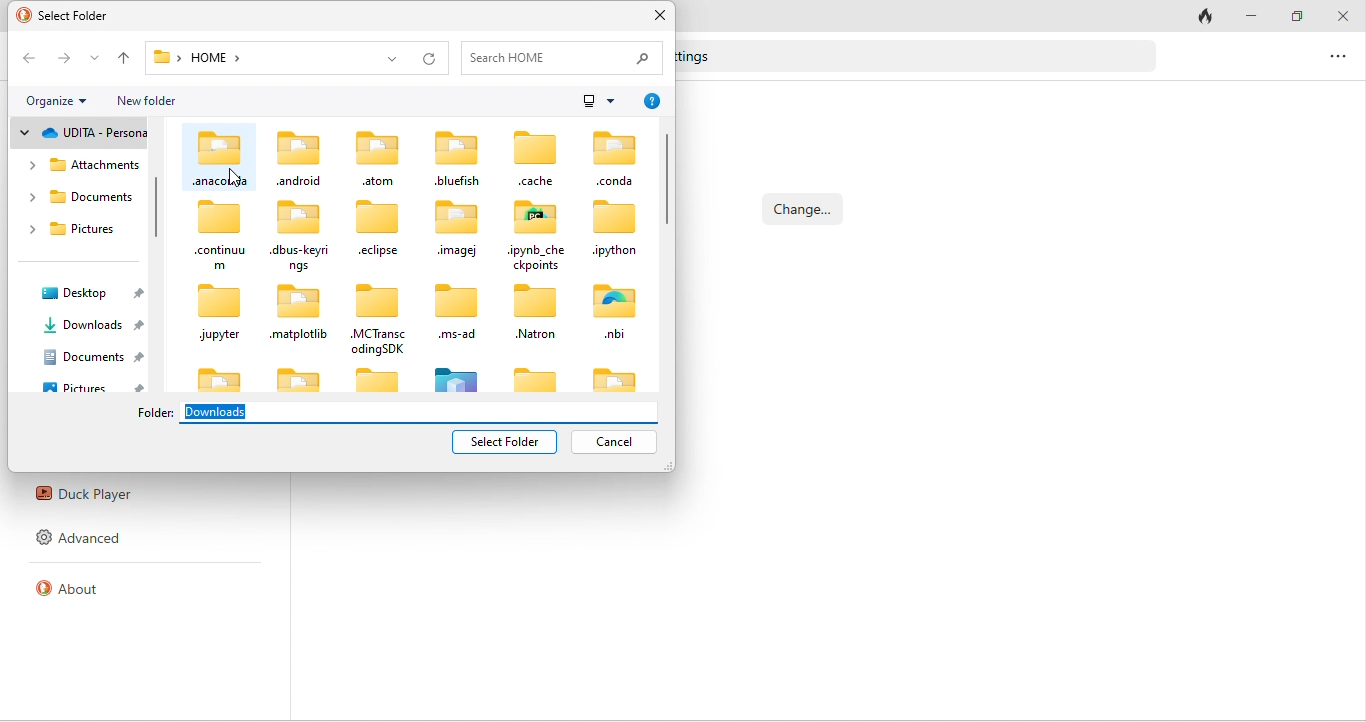 This screenshot has width=1366, height=722. Describe the element at coordinates (81, 165) in the screenshot. I see `attachments` at that location.